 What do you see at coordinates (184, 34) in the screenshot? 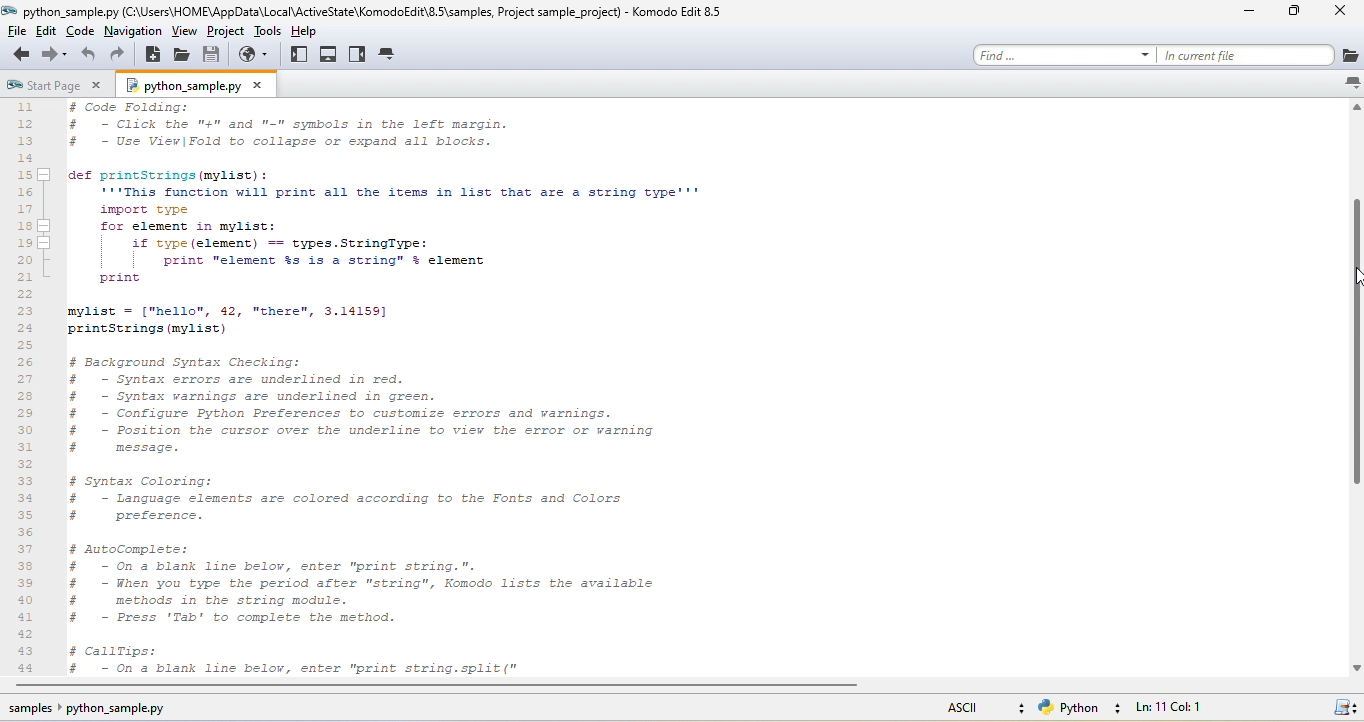
I see `view` at bounding box center [184, 34].